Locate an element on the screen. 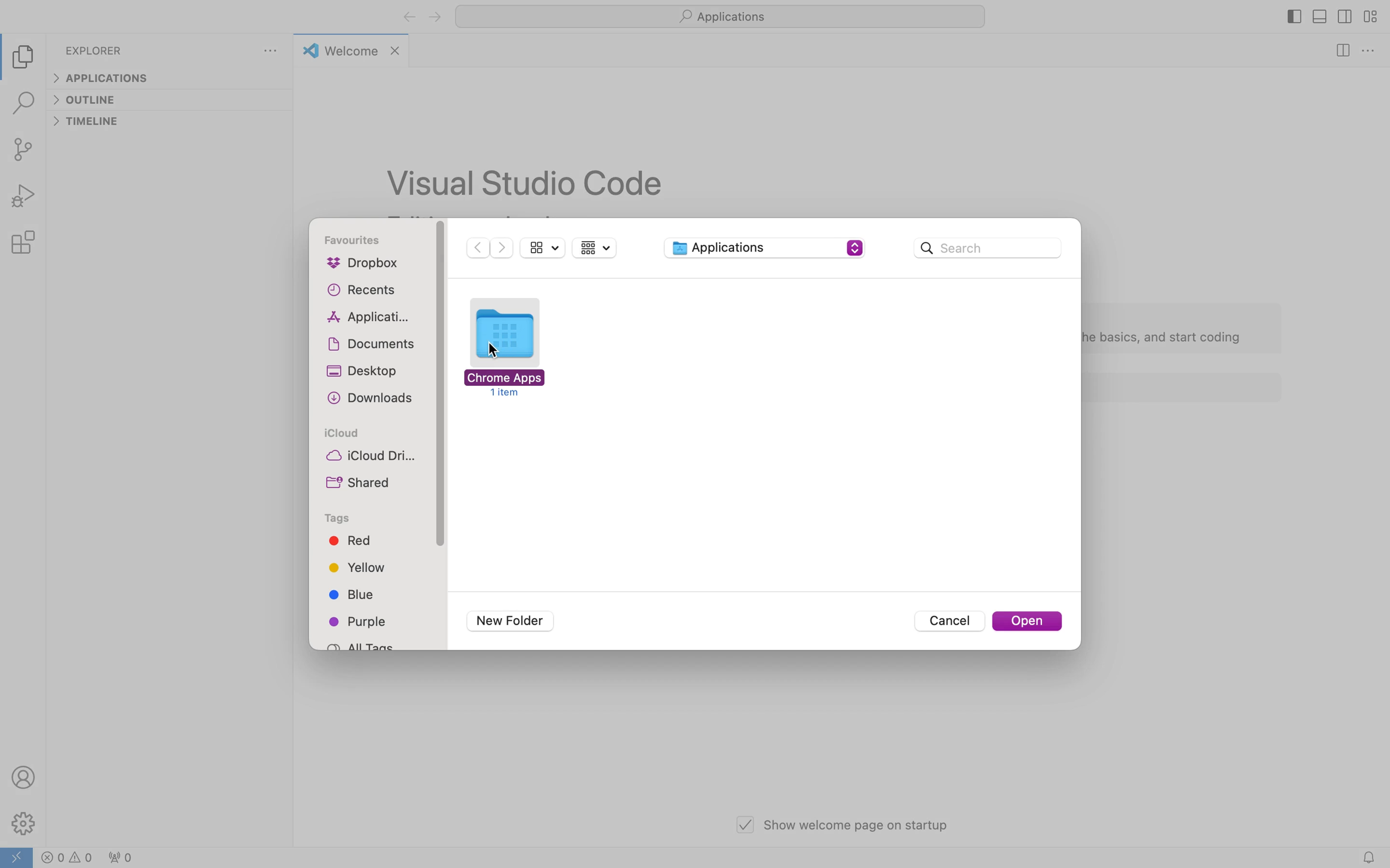 This screenshot has height=868, width=1390. shared is located at coordinates (364, 481).